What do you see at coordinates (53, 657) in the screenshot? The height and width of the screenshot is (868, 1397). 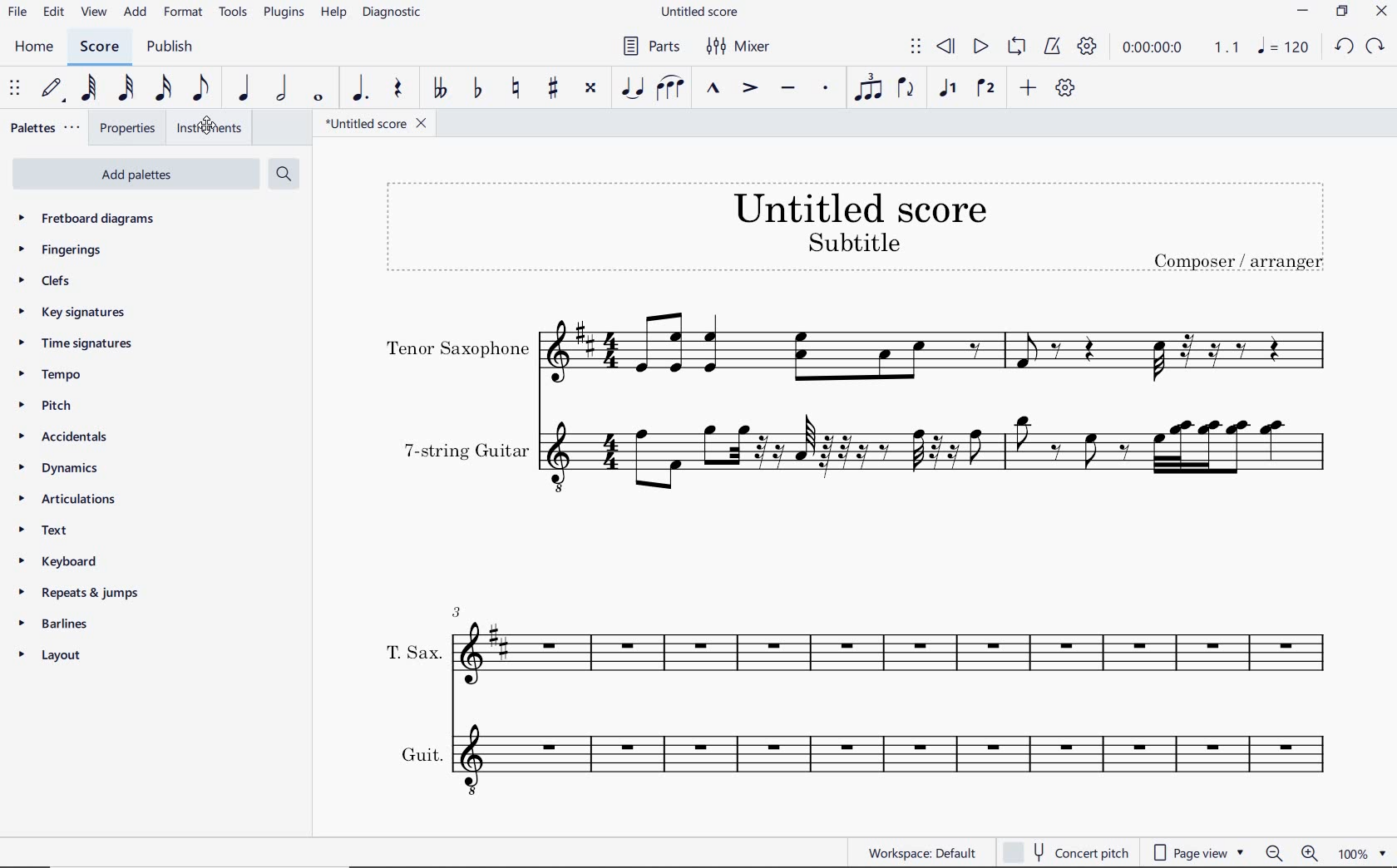 I see `LAYOUT` at bounding box center [53, 657].